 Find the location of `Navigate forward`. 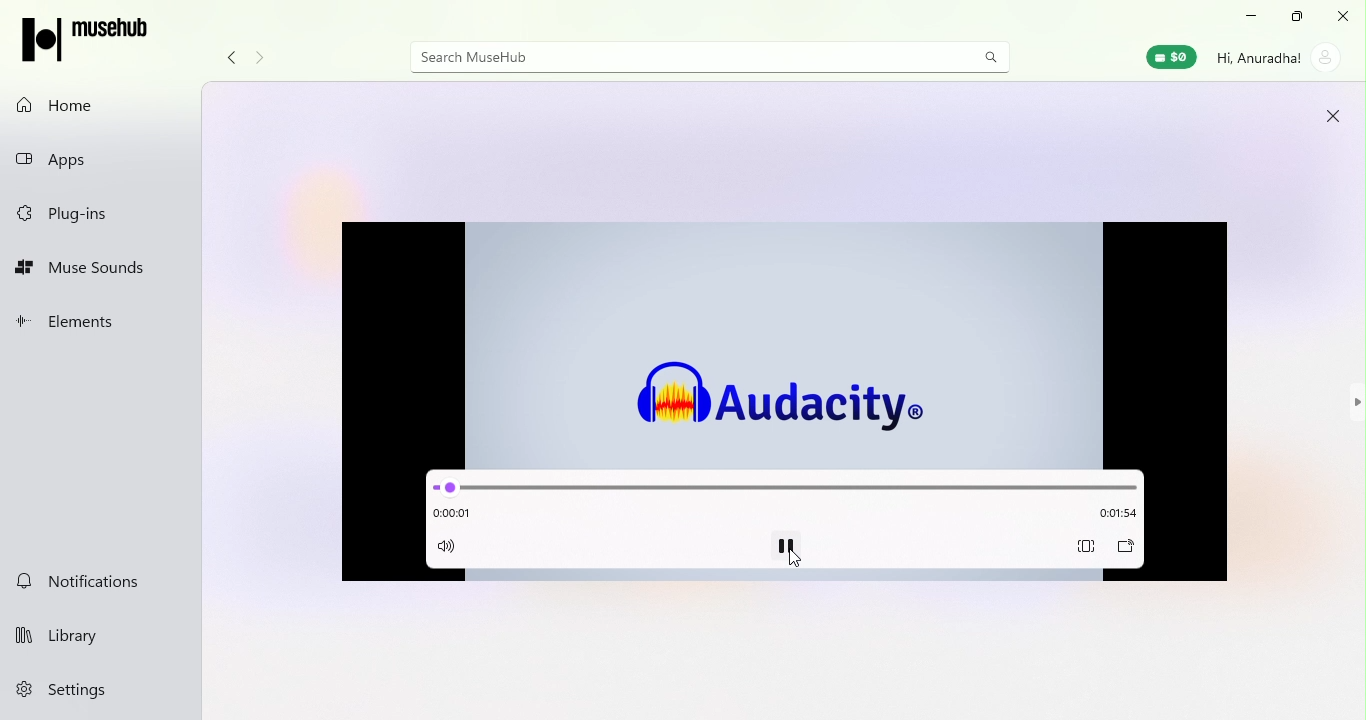

Navigate forward is located at coordinates (262, 58).